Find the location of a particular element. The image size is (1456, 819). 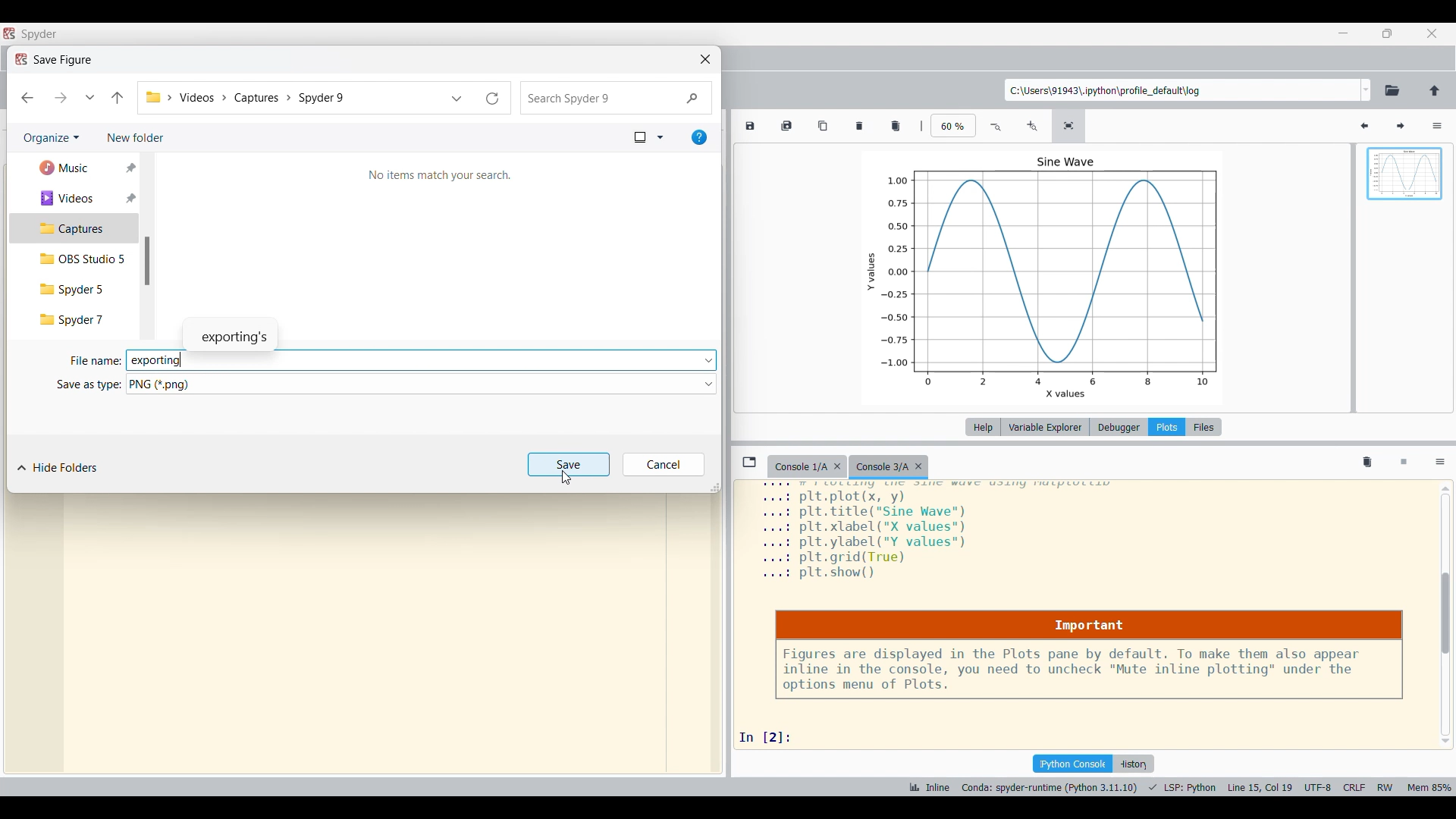

chart within plot pane is located at coordinates (1057, 276).